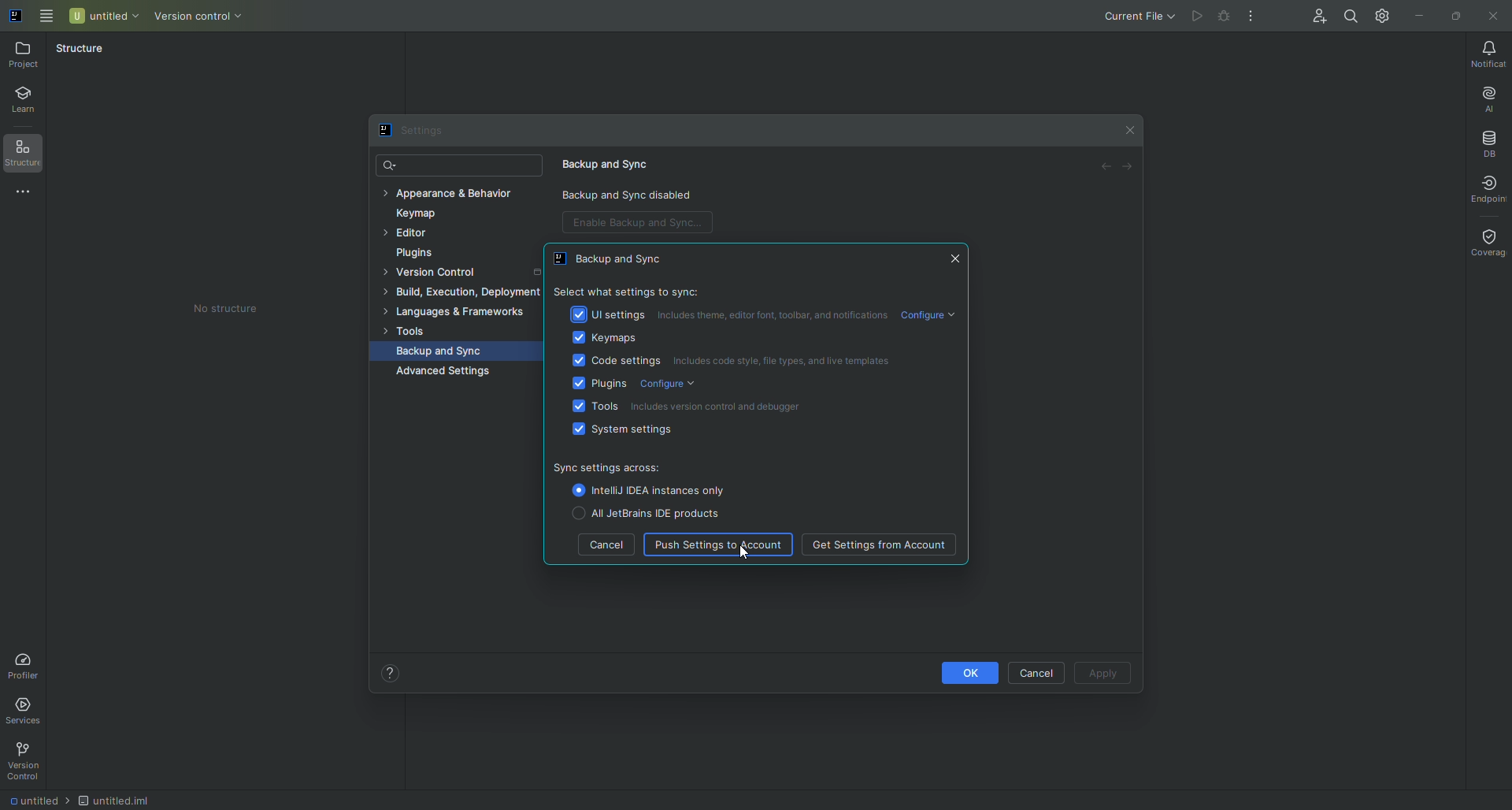 The image size is (1512, 810). I want to click on File type, so click(131, 798).